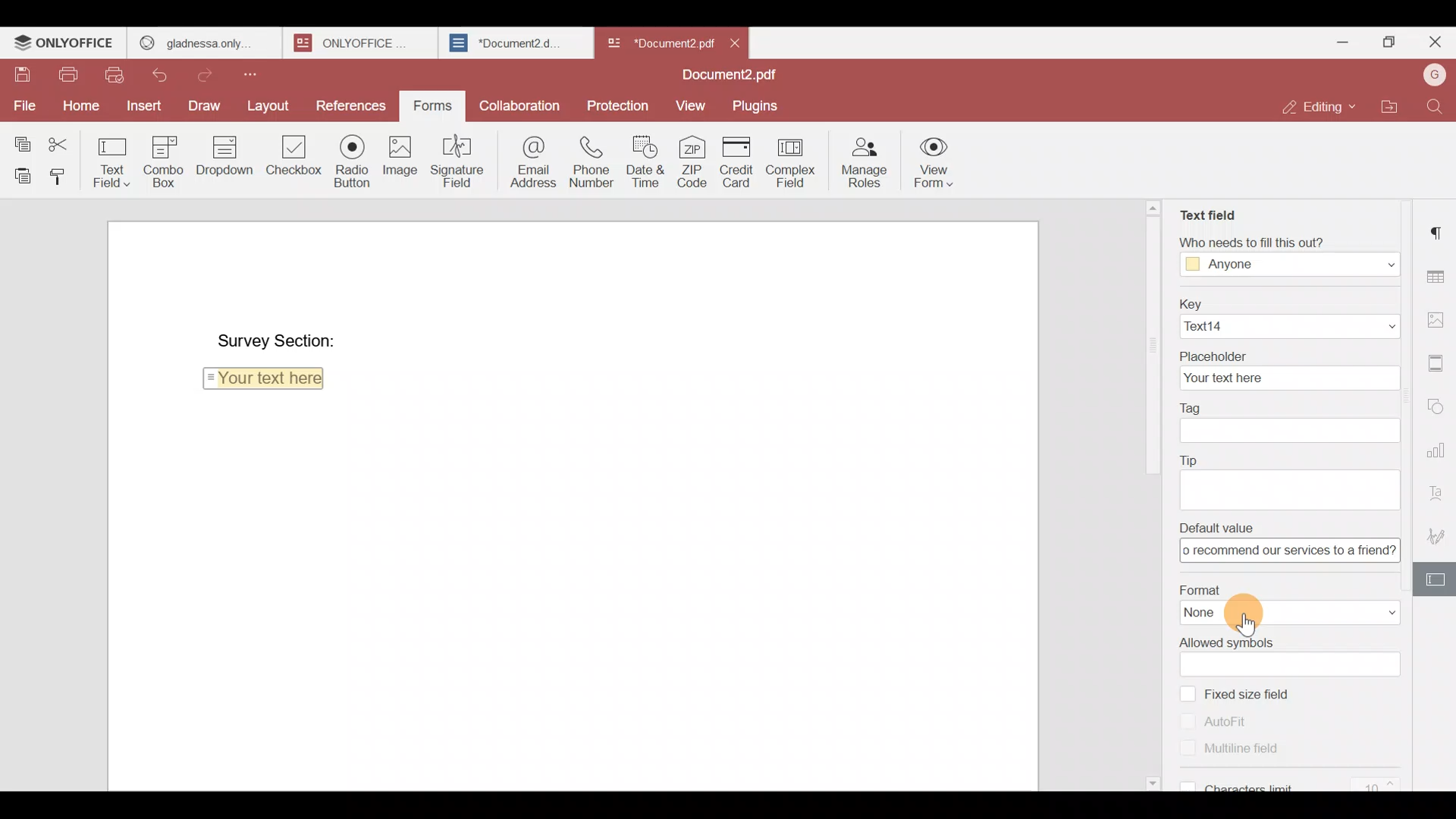  Describe the element at coordinates (1439, 107) in the screenshot. I see `Find` at that location.